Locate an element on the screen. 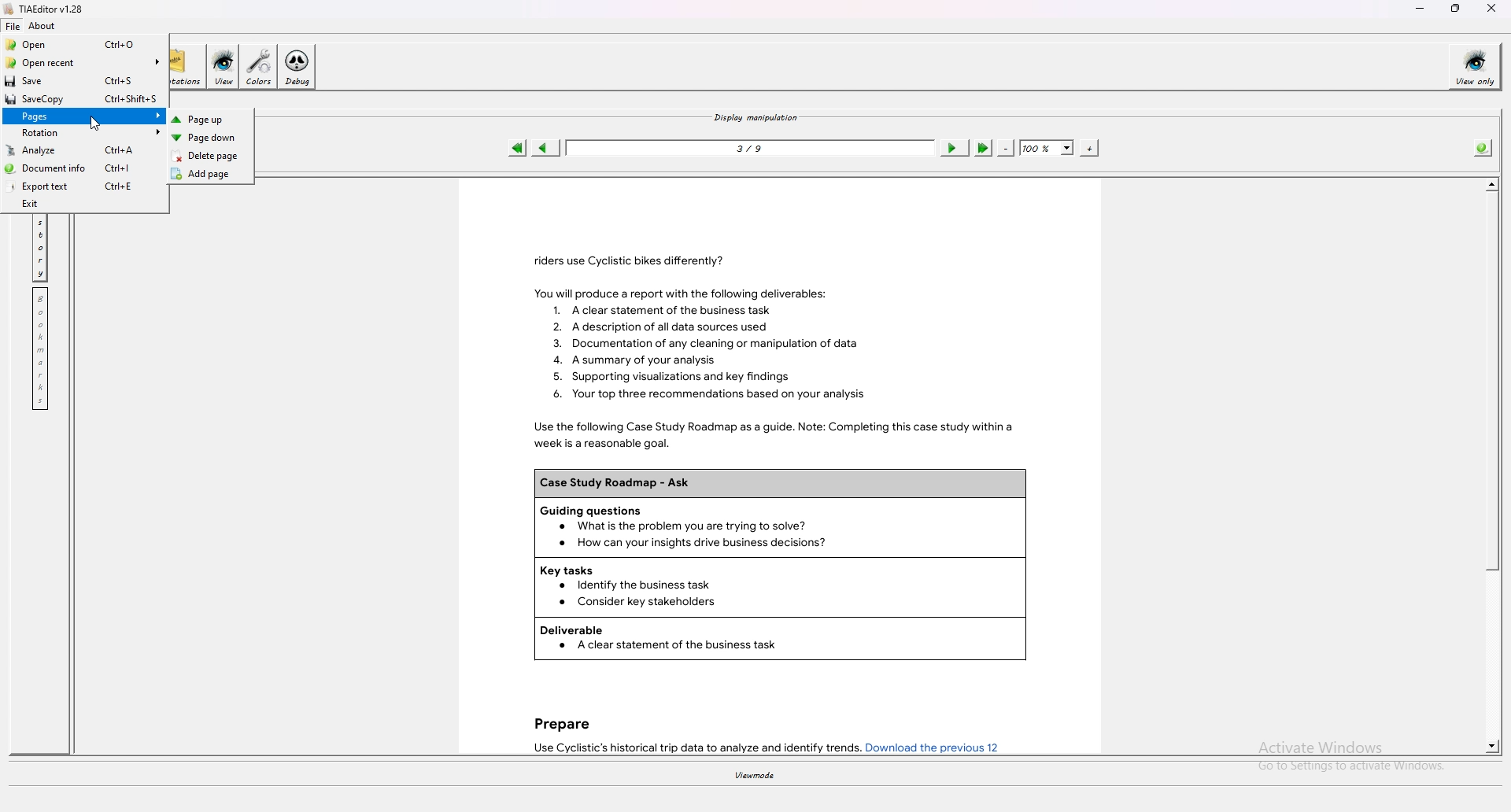 The width and height of the screenshot is (1511, 812). scroll up is located at coordinates (1491, 184).